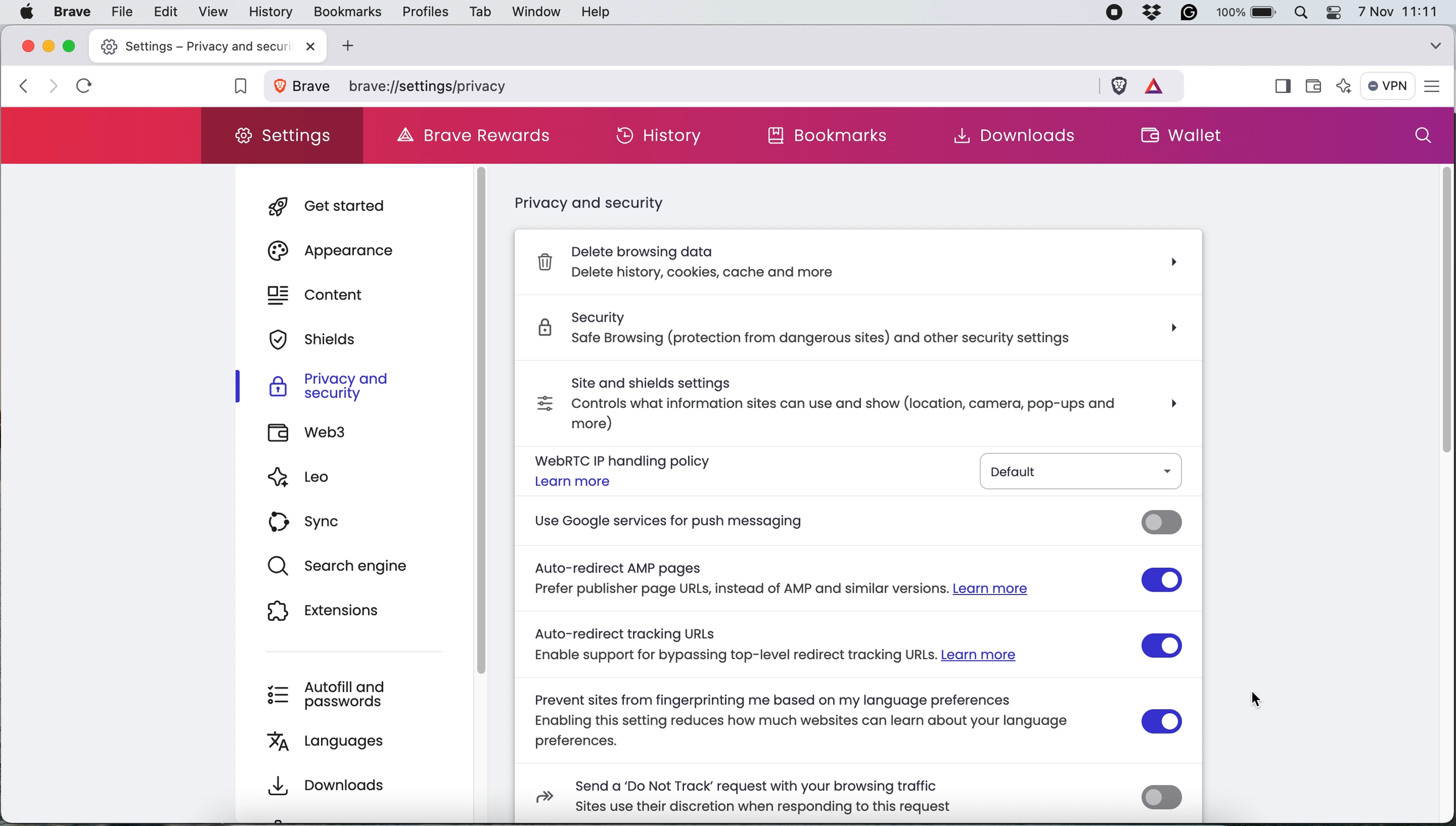  Describe the element at coordinates (489, 422) in the screenshot. I see `scroll bar` at that location.